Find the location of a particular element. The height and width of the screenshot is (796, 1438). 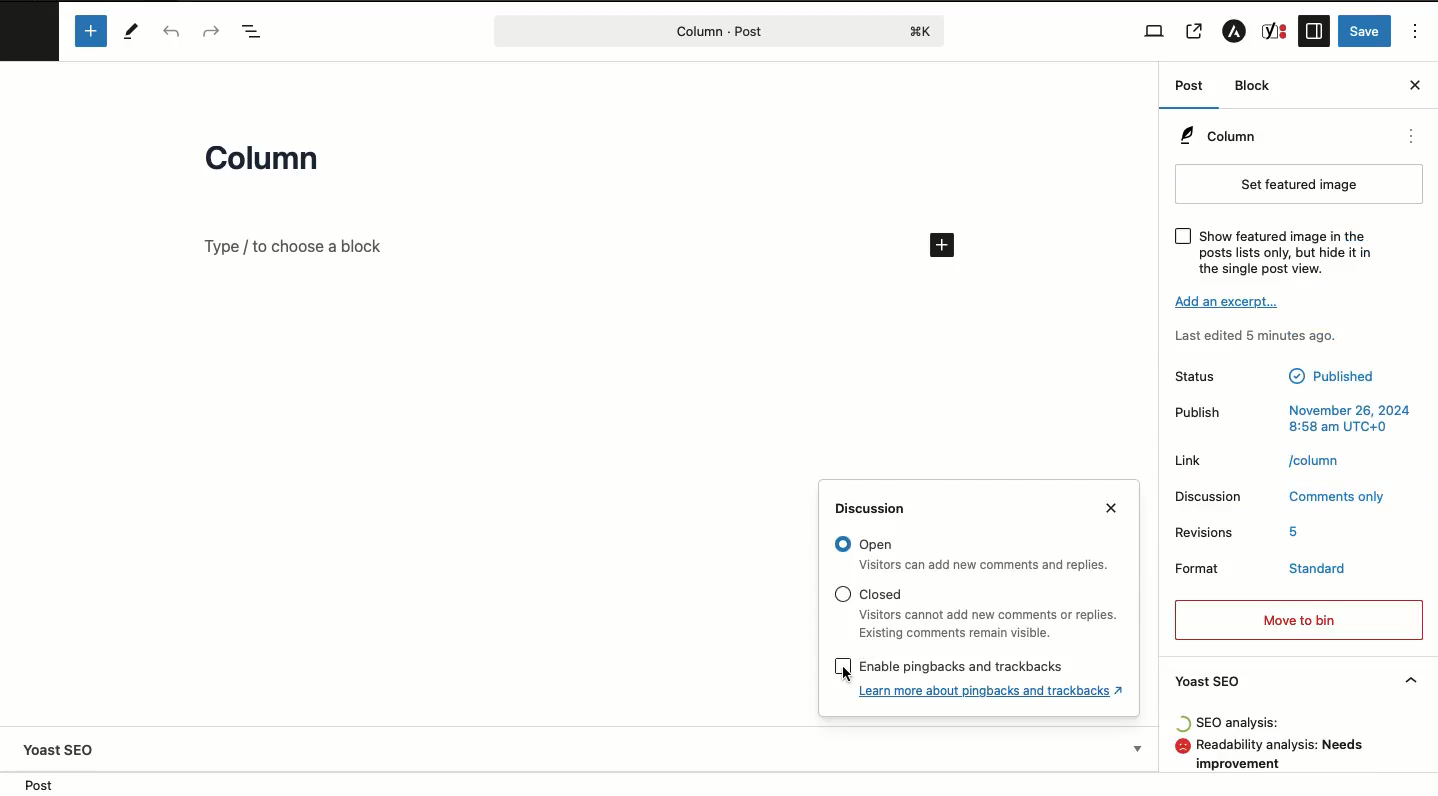

Block is located at coordinates (1254, 85).